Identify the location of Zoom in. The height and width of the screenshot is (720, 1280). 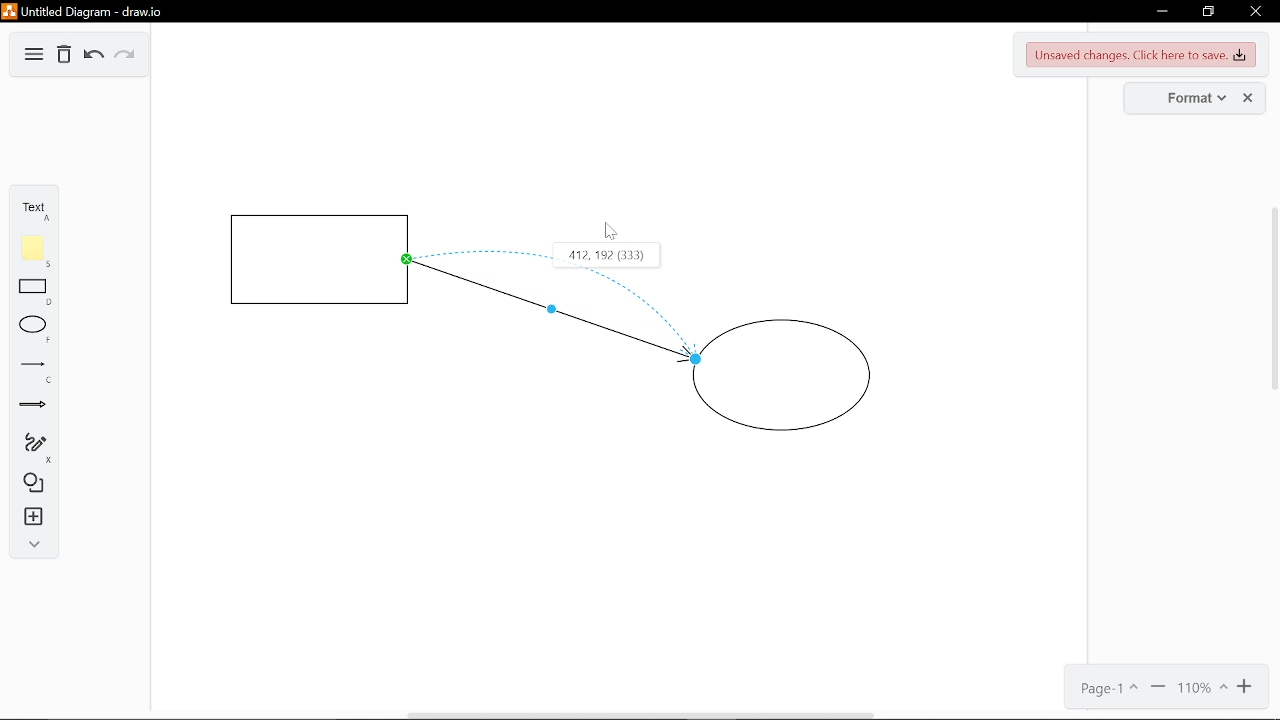
(1248, 687).